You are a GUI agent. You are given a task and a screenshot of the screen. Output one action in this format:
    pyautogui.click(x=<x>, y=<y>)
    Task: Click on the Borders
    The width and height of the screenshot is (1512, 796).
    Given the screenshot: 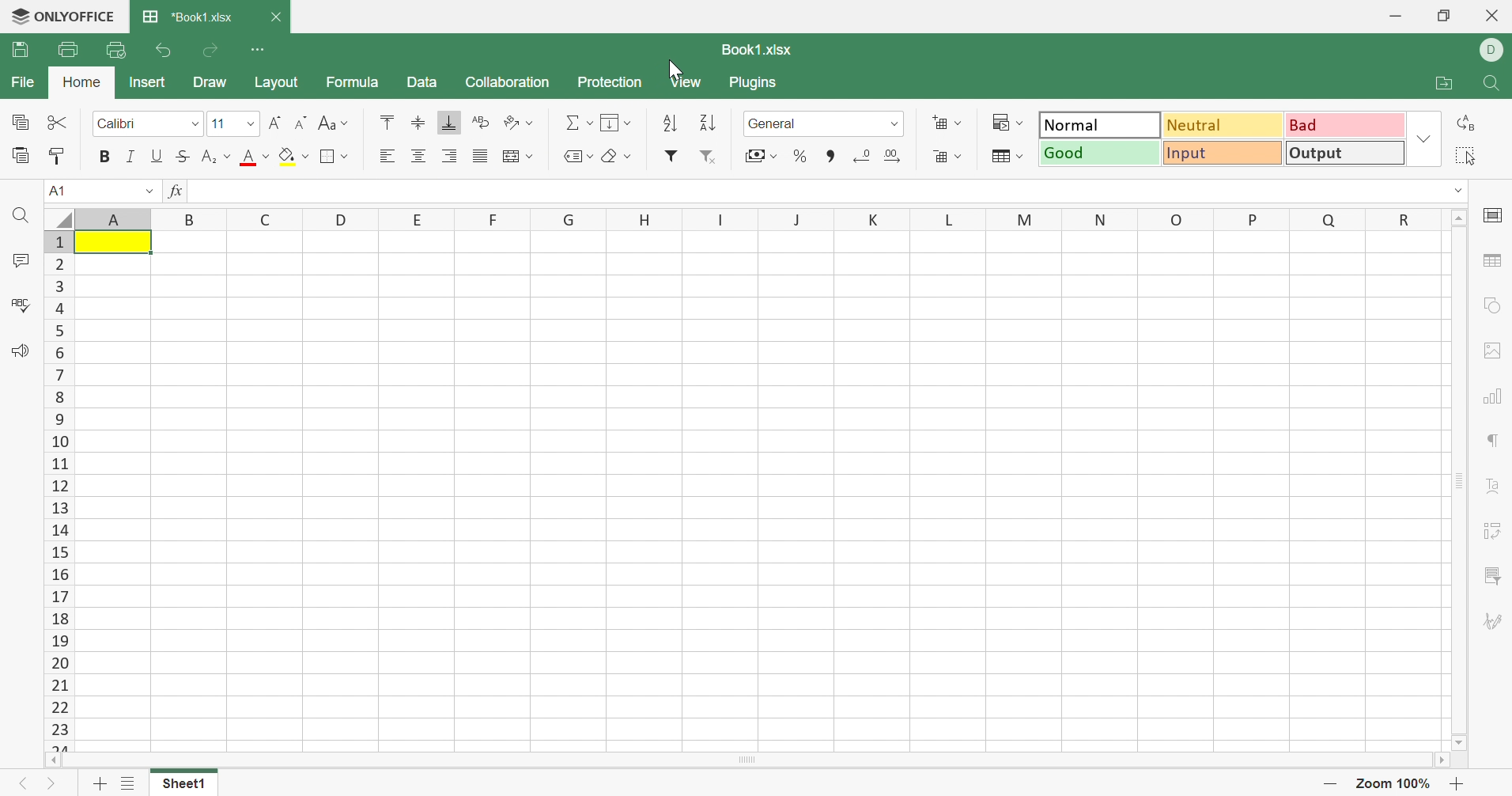 What is the action you would take?
    pyautogui.click(x=333, y=156)
    